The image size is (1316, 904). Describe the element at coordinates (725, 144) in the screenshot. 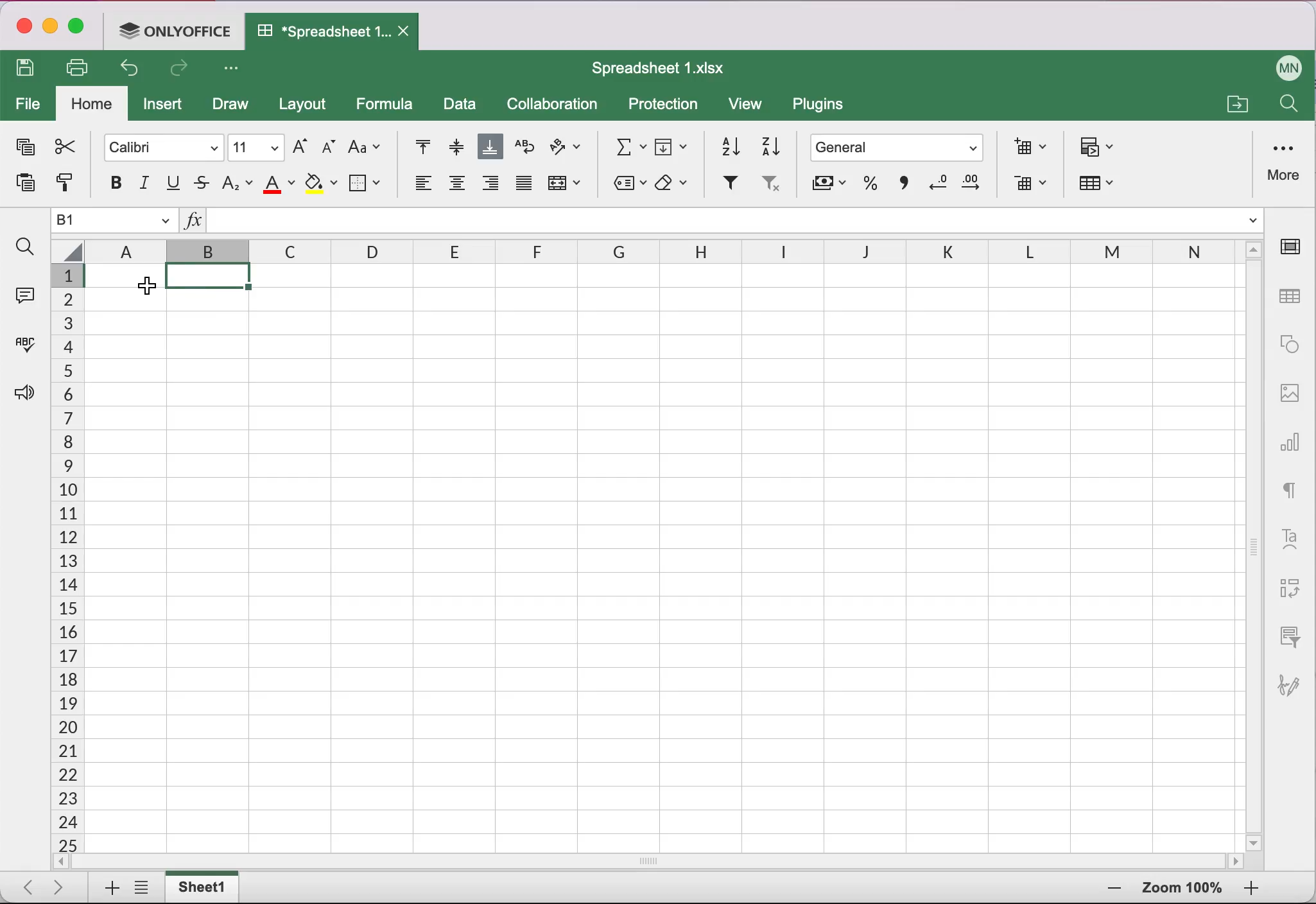

I see `sort ascending` at that location.